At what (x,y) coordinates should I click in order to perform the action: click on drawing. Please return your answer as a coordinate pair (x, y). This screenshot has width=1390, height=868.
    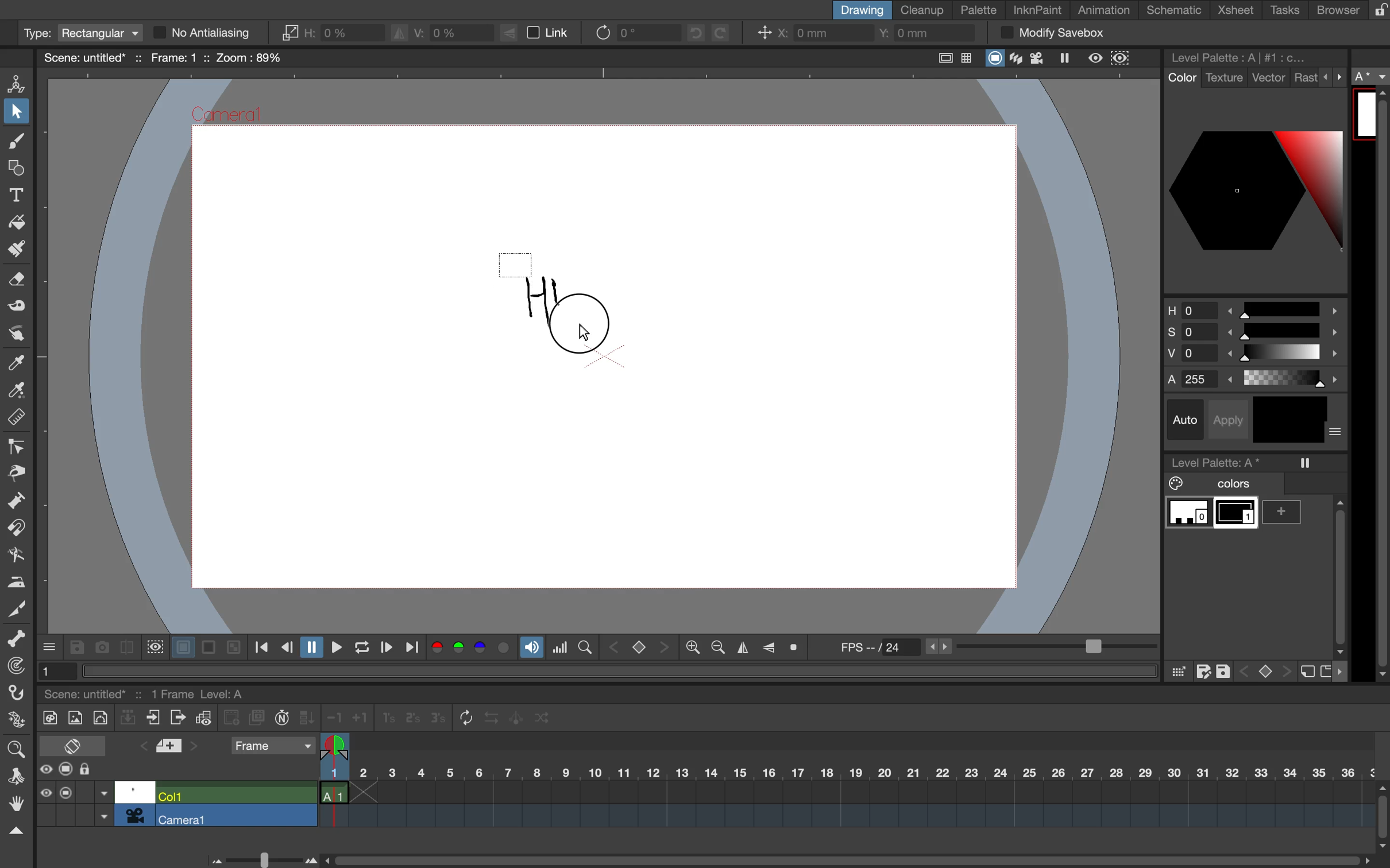
    Looking at the image, I should click on (860, 10).